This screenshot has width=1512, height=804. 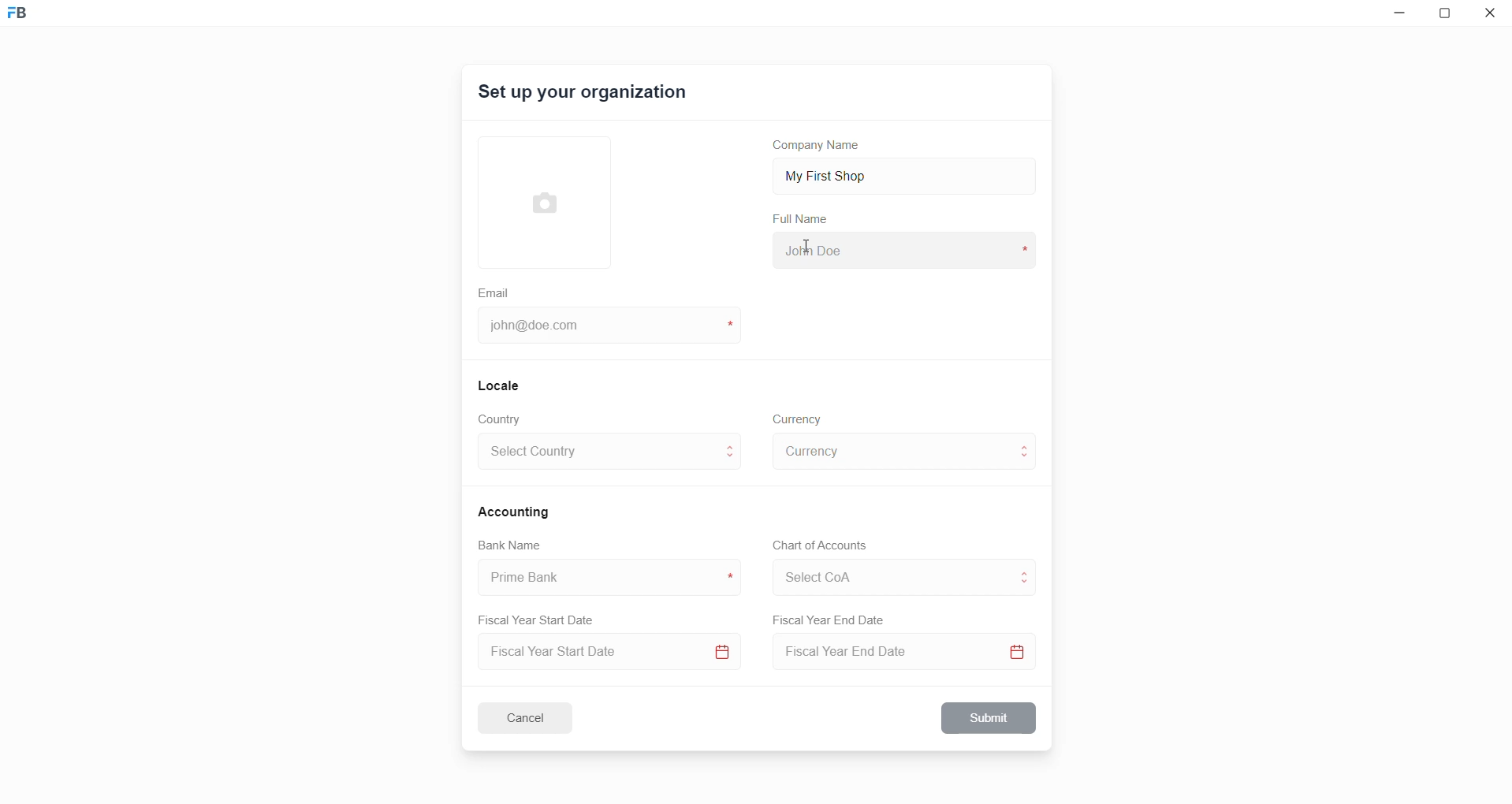 I want to click on Accounting, so click(x=516, y=511).